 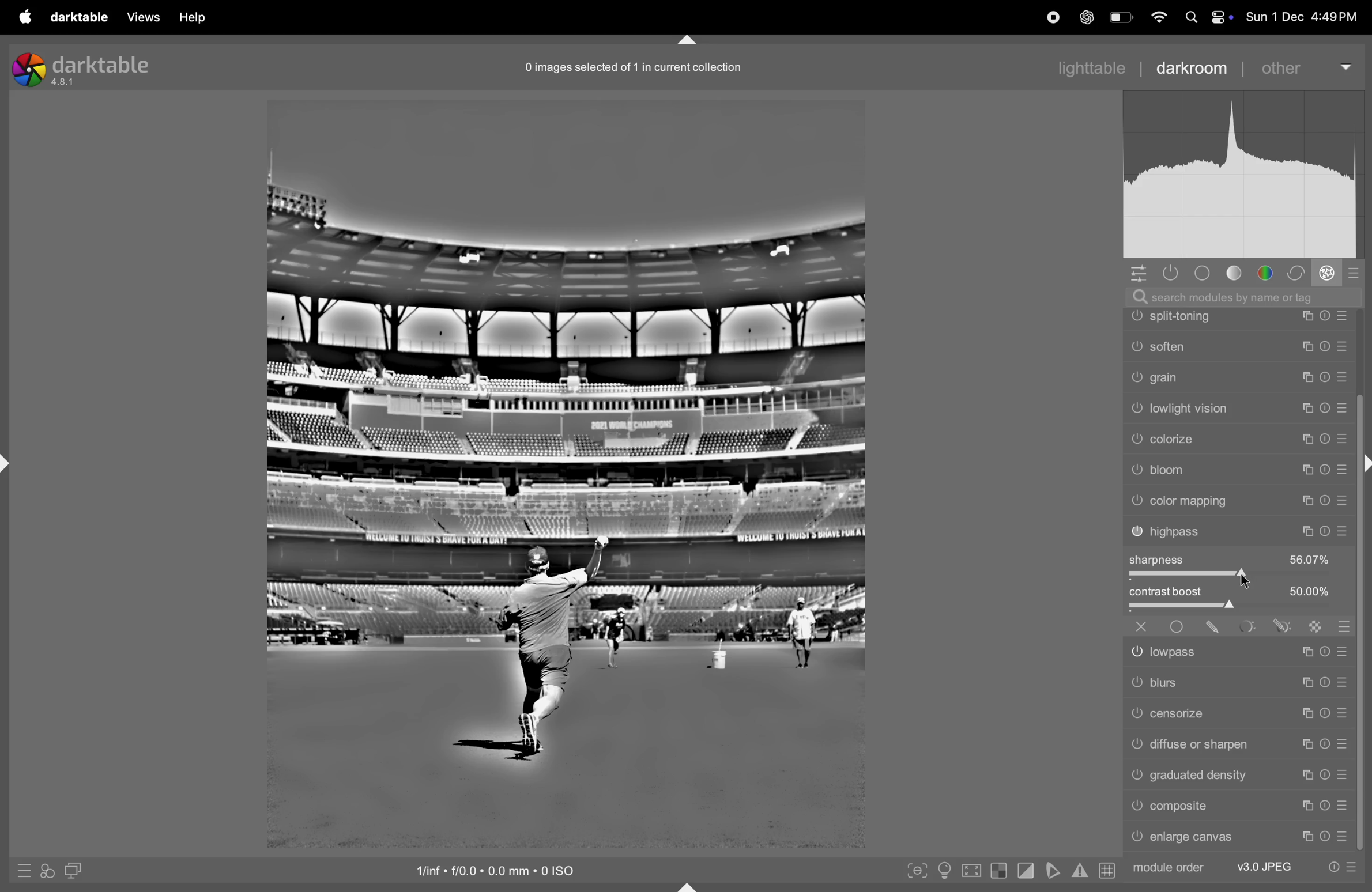 I want to click on color mapping, so click(x=1242, y=589).